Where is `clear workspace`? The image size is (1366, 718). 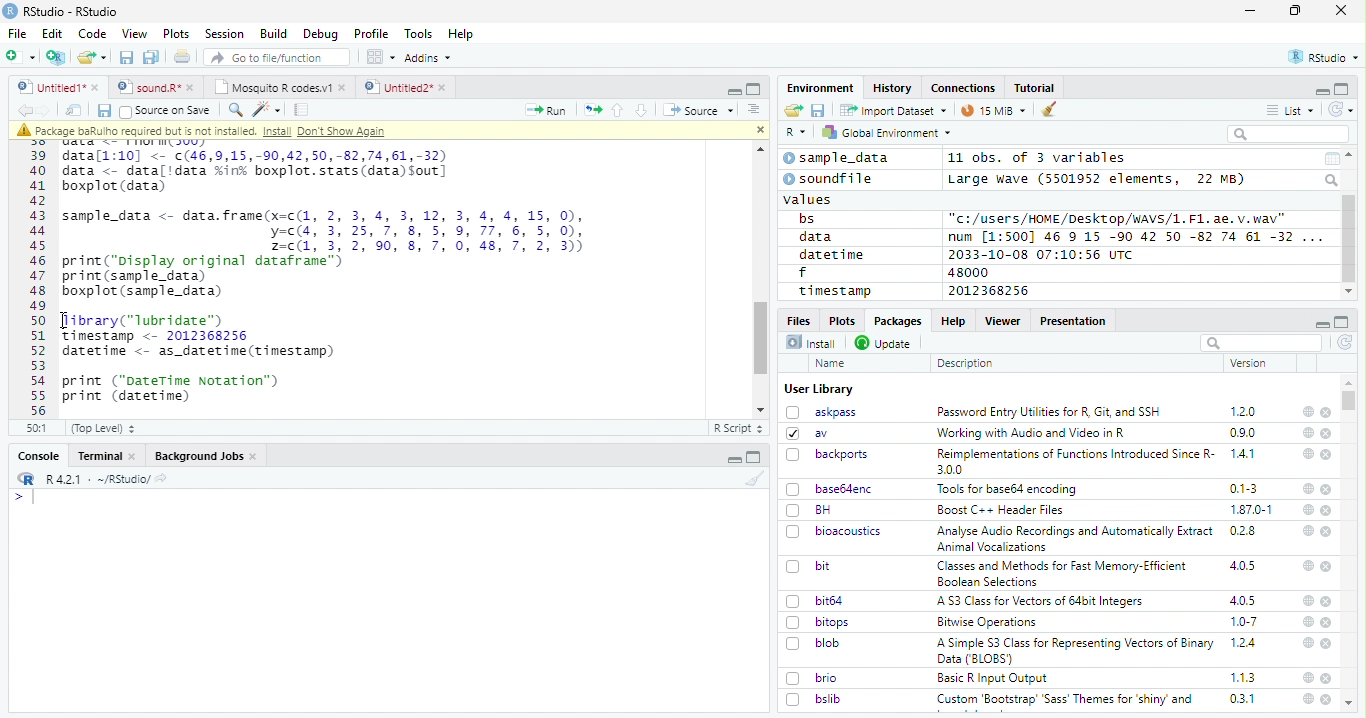
clear workspace is located at coordinates (1050, 110).